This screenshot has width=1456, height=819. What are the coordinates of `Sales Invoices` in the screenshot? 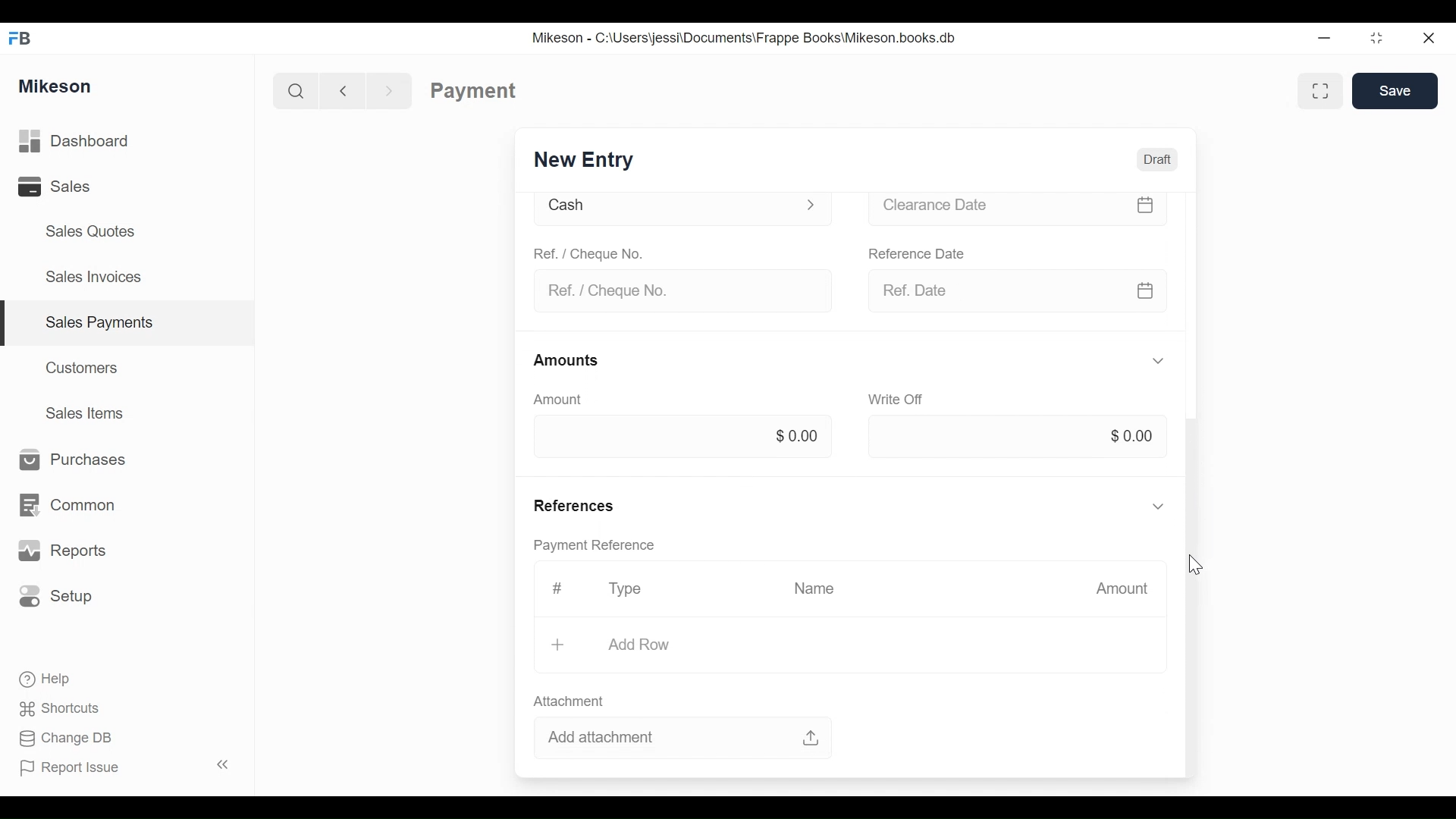 It's located at (88, 278).